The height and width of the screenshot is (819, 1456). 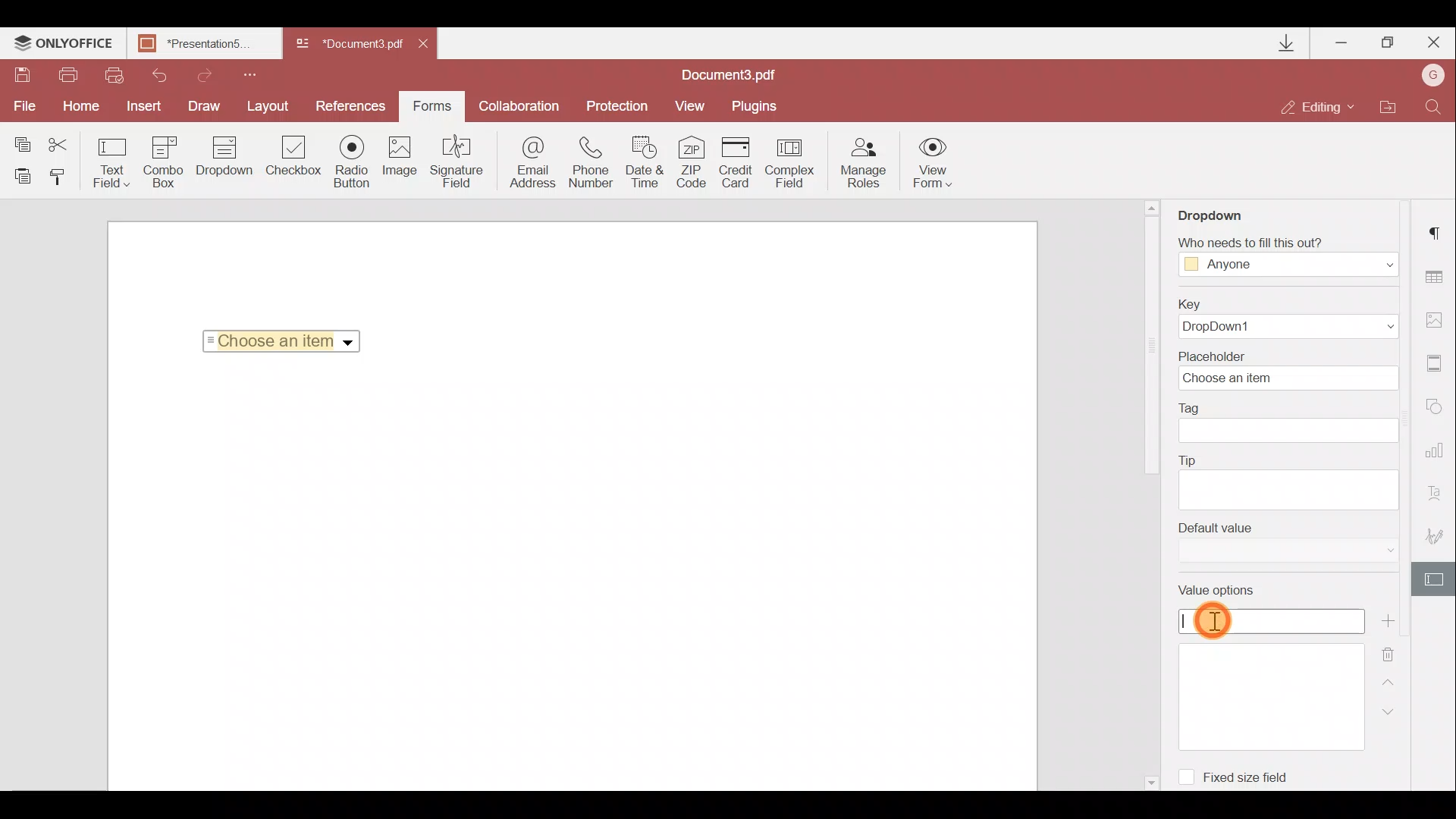 What do you see at coordinates (1438, 228) in the screenshot?
I see `Paragraph settings` at bounding box center [1438, 228].